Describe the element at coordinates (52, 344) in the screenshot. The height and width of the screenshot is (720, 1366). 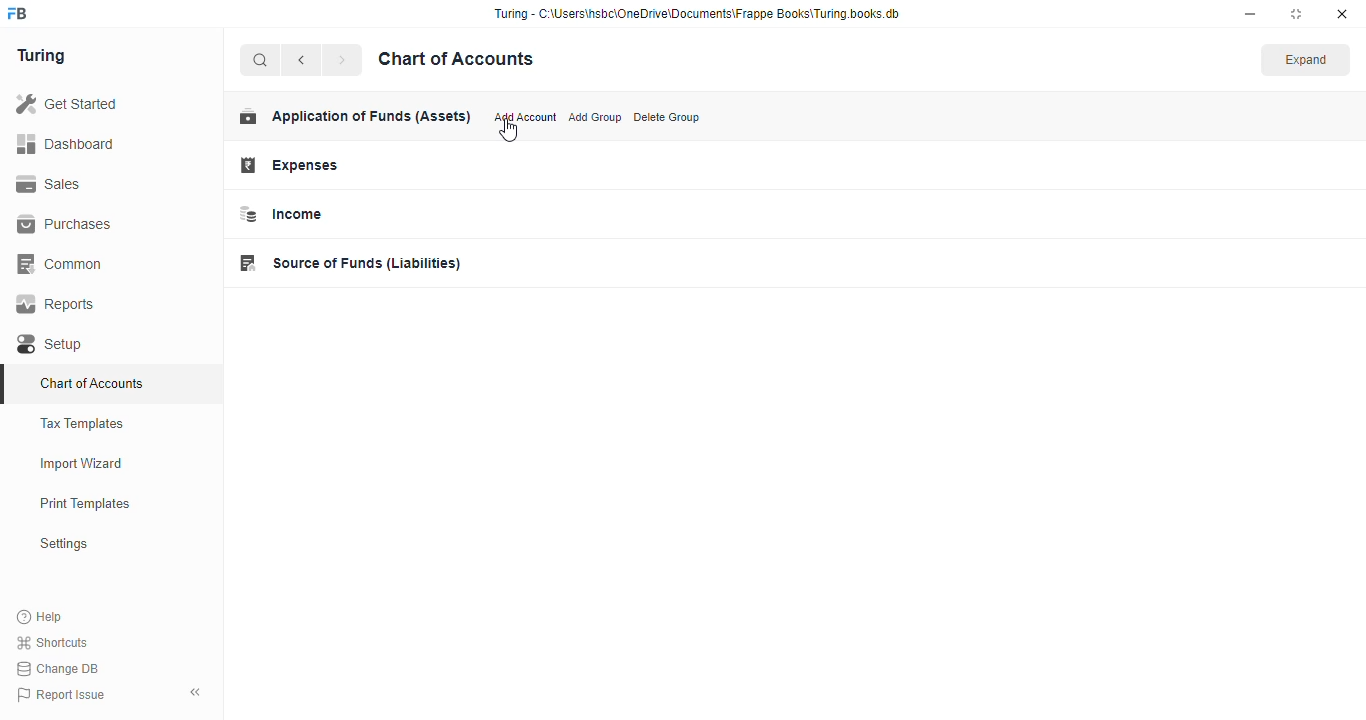
I see `setup` at that location.